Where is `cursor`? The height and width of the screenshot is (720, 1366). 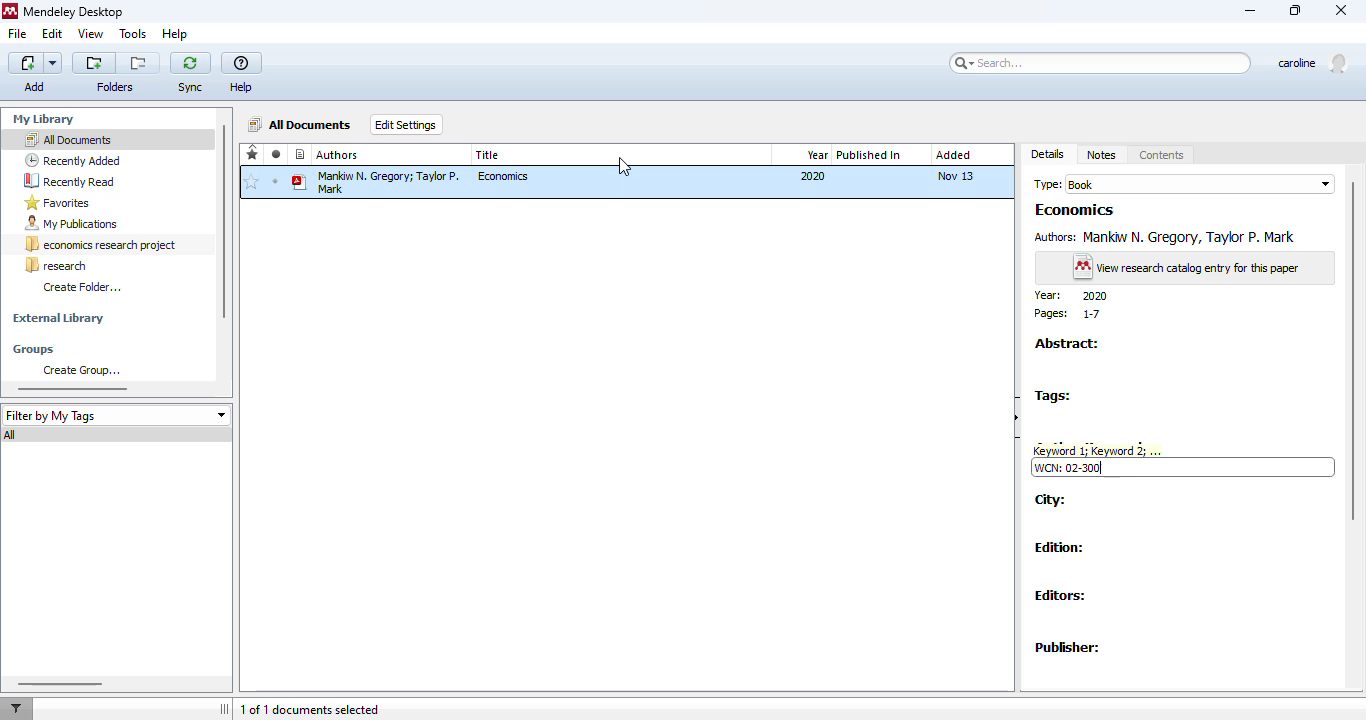
cursor is located at coordinates (624, 167).